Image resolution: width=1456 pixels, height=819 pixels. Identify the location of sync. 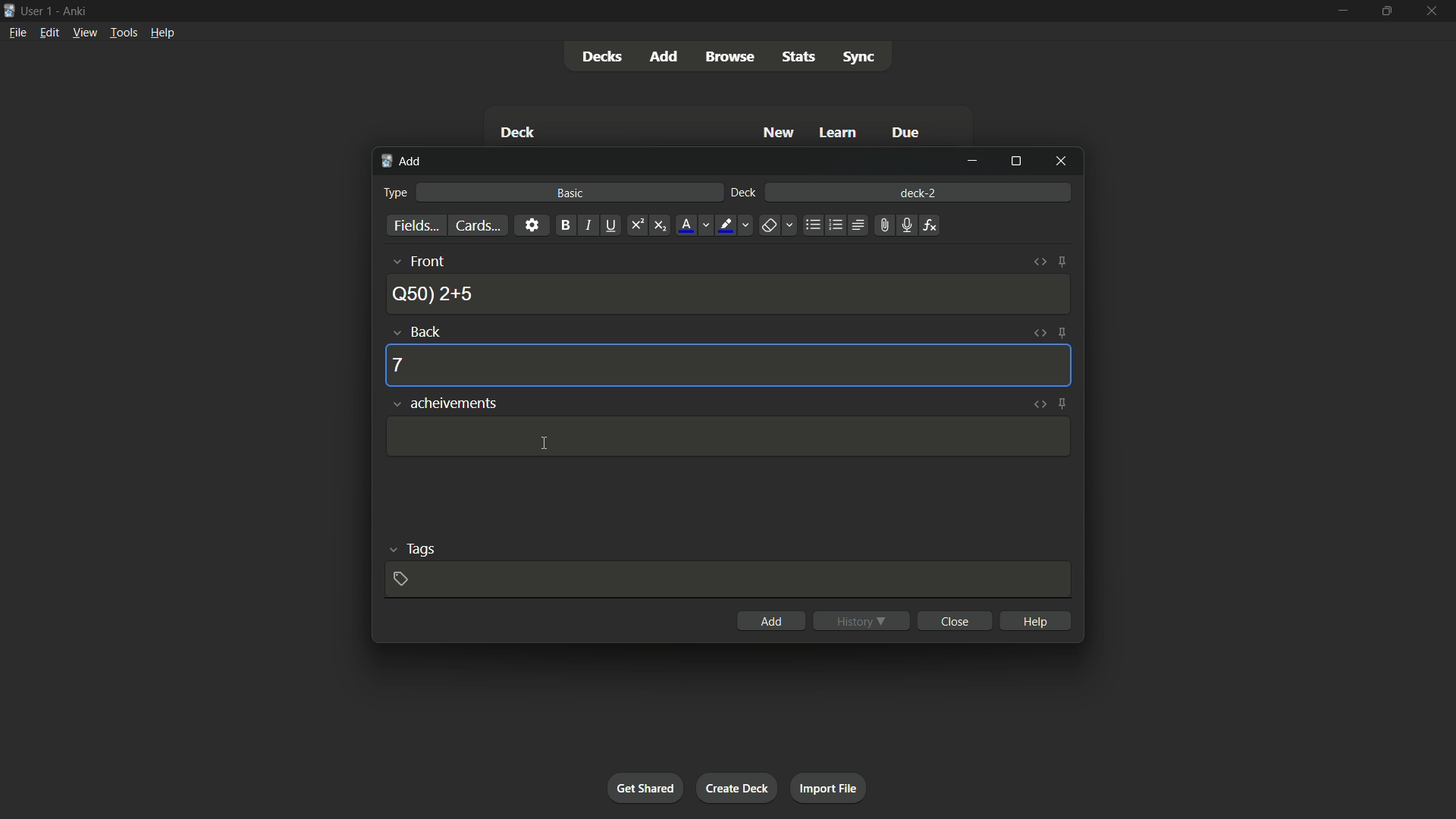
(861, 58).